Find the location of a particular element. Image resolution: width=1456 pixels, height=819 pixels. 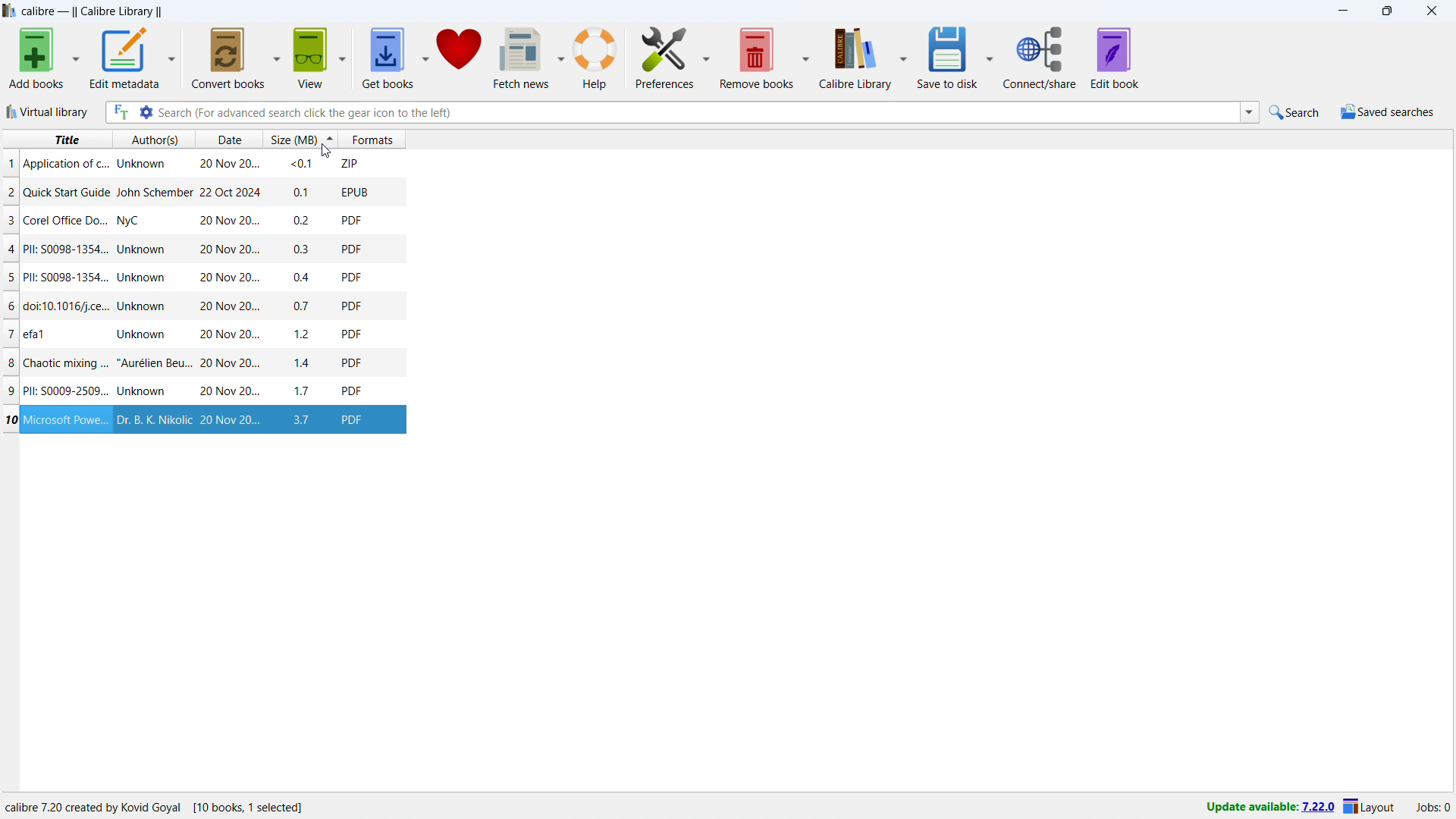

get books options is located at coordinates (426, 57).